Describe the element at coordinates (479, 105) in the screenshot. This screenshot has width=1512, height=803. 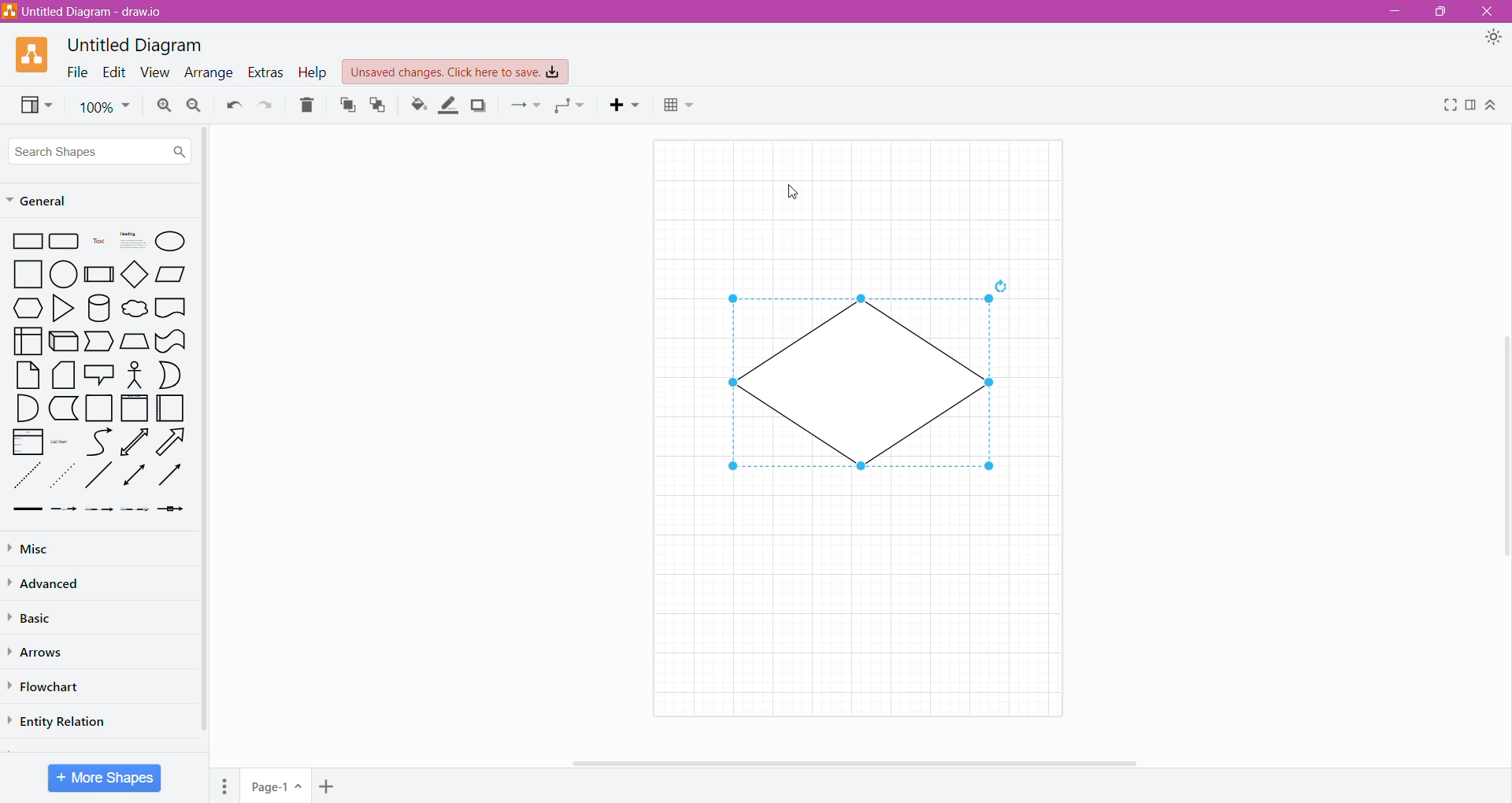
I see `Shadow` at that location.